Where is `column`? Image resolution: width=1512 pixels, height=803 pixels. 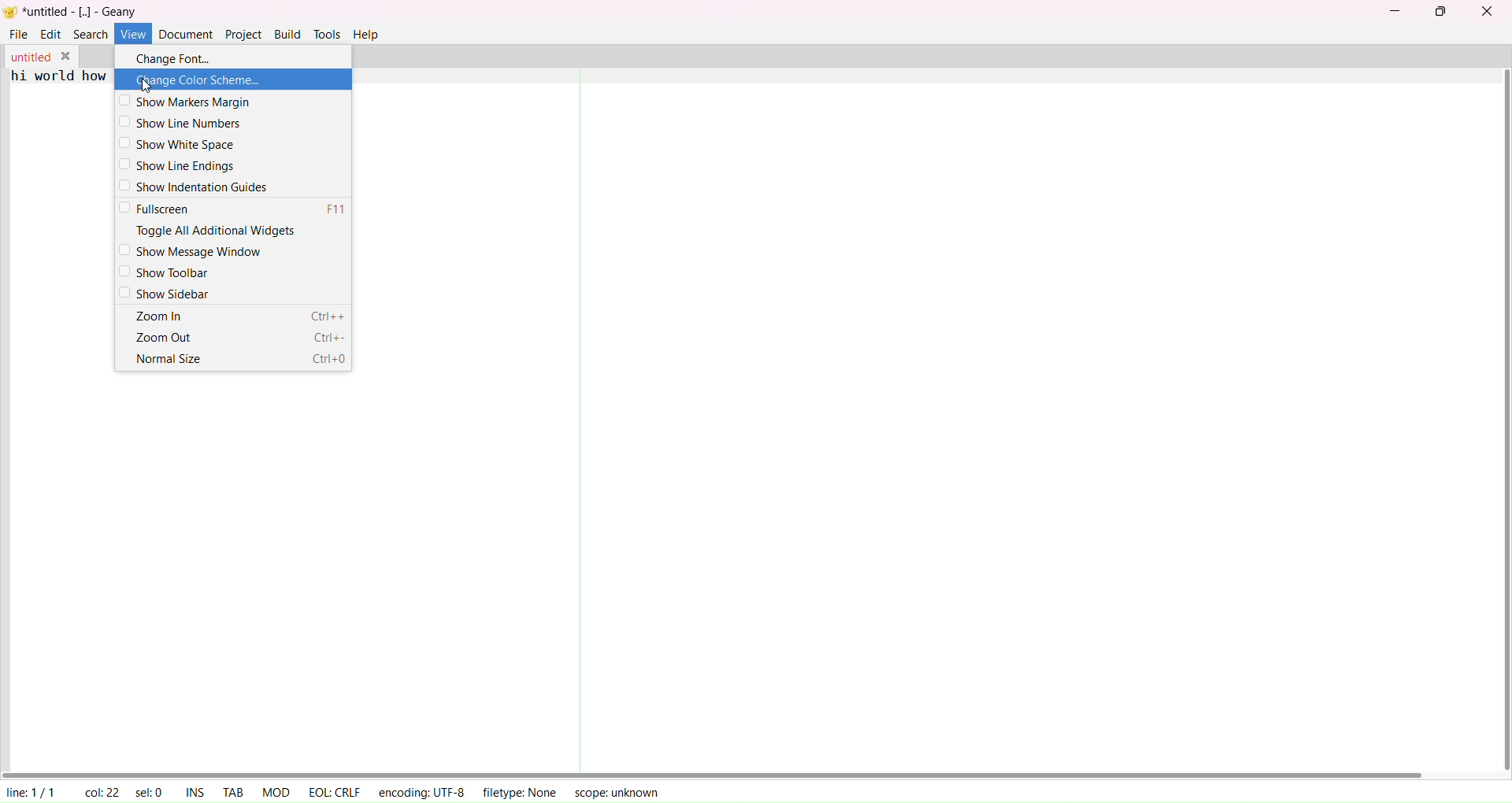 column is located at coordinates (100, 790).